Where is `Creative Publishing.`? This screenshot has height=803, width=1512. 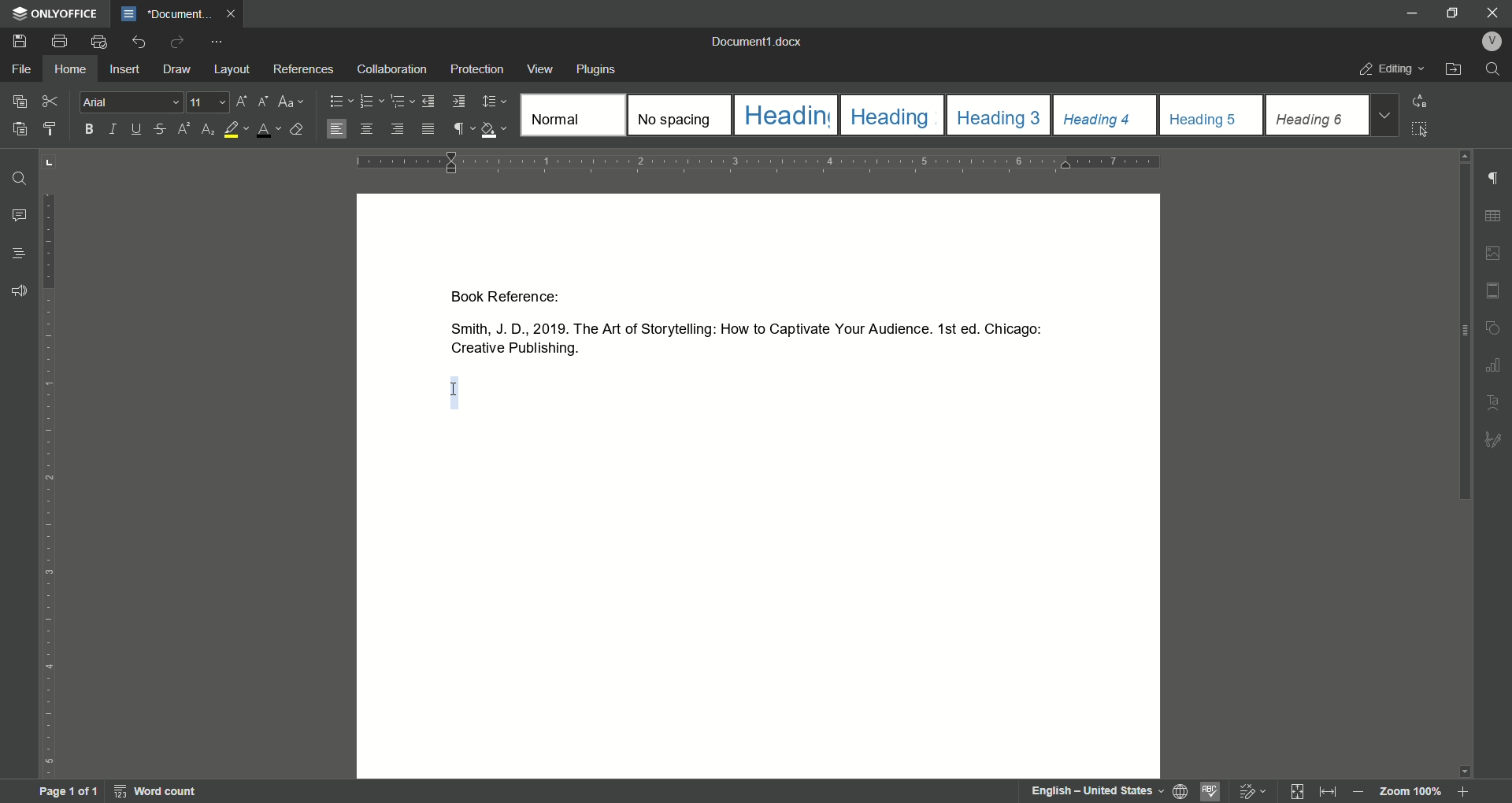 Creative Publishing. is located at coordinates (506, 352).